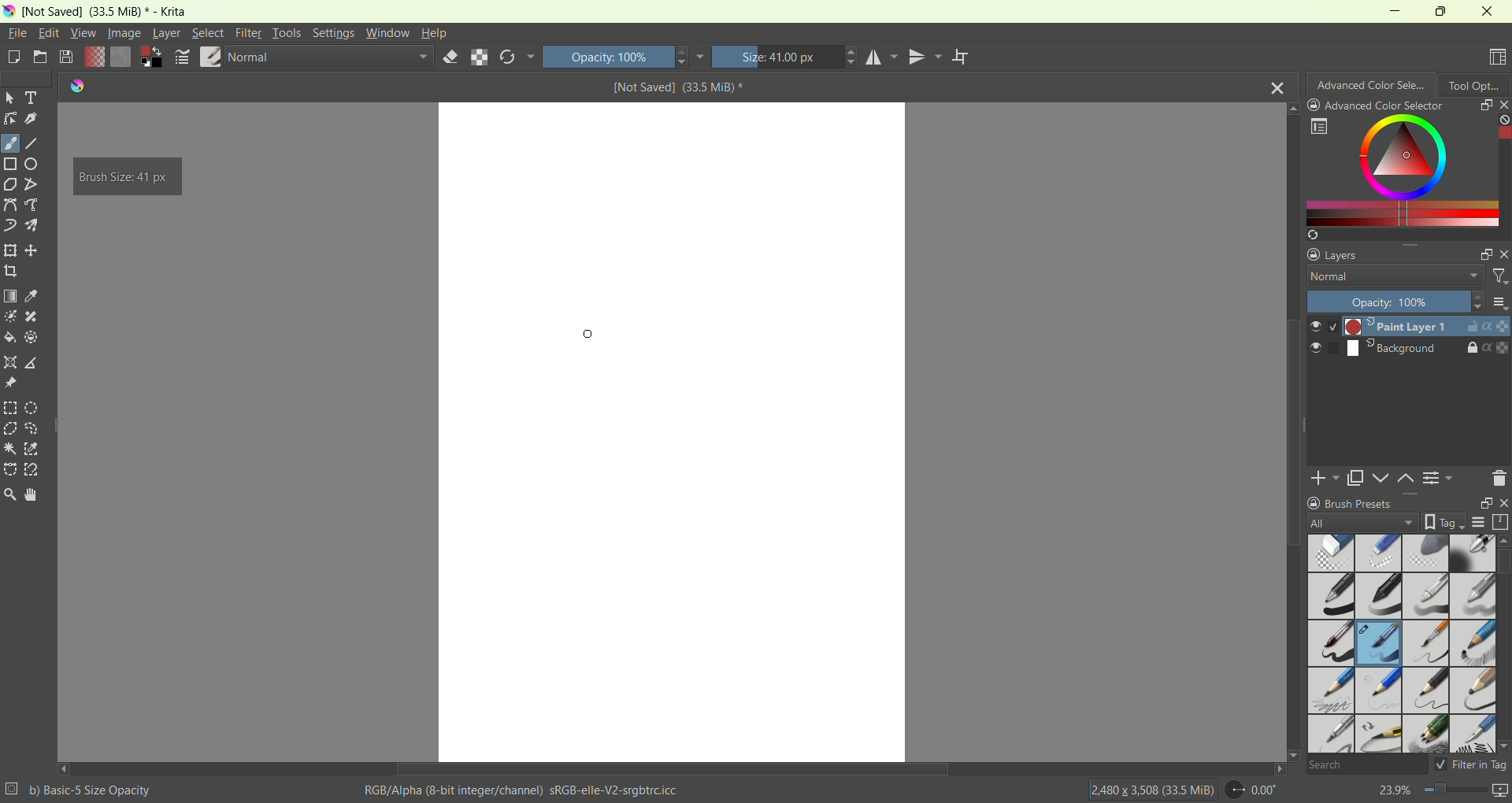 This screenshot has height=803, width=1512. What do you see at coordinates (10, 295) in the screenshot?
I see `draw a gradient` at bounding box center [10, 295].